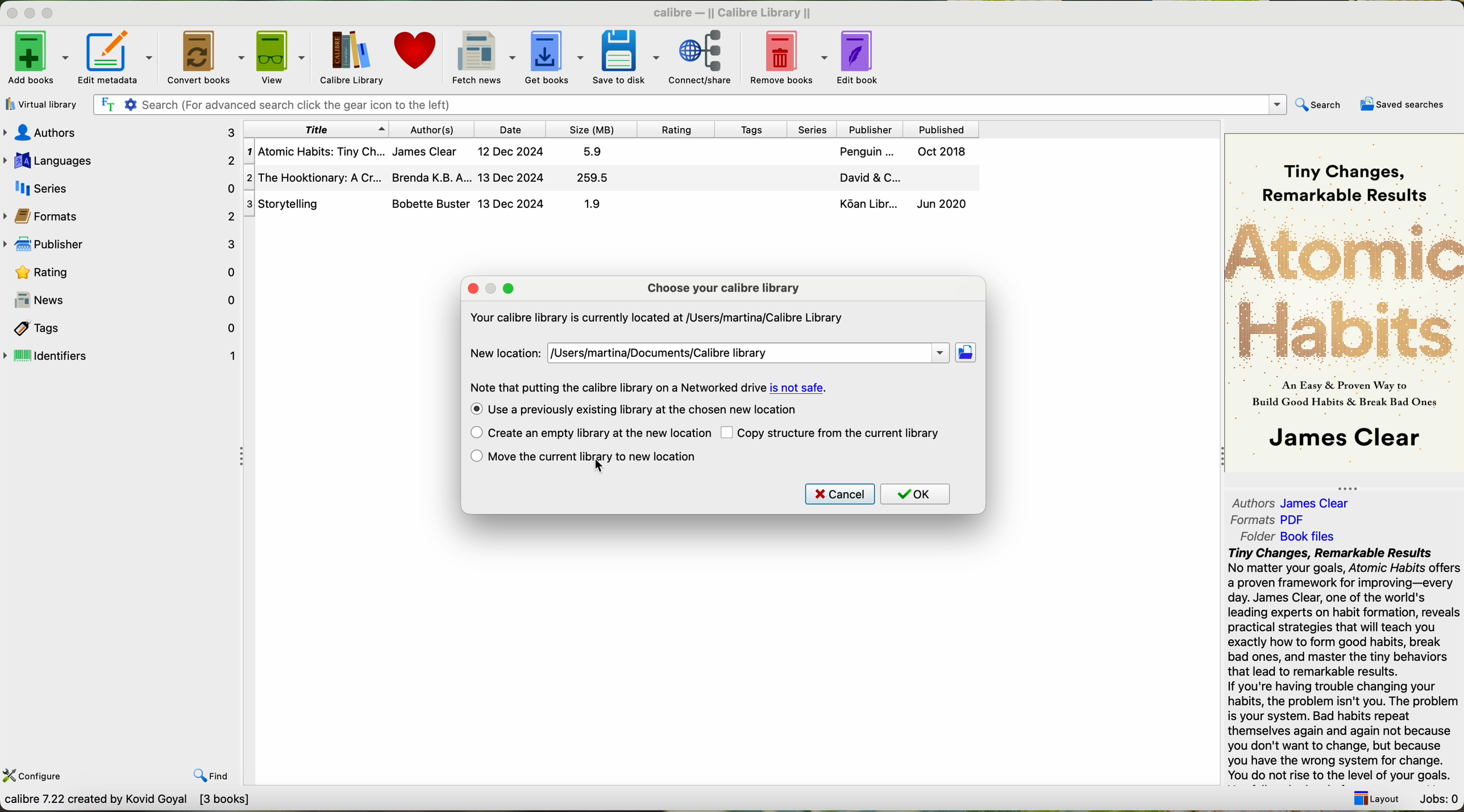 This screenshot has height=812, width=1464. Describe the element at coordinates (44, 777) in the screenshot. I see `configure` at that location.